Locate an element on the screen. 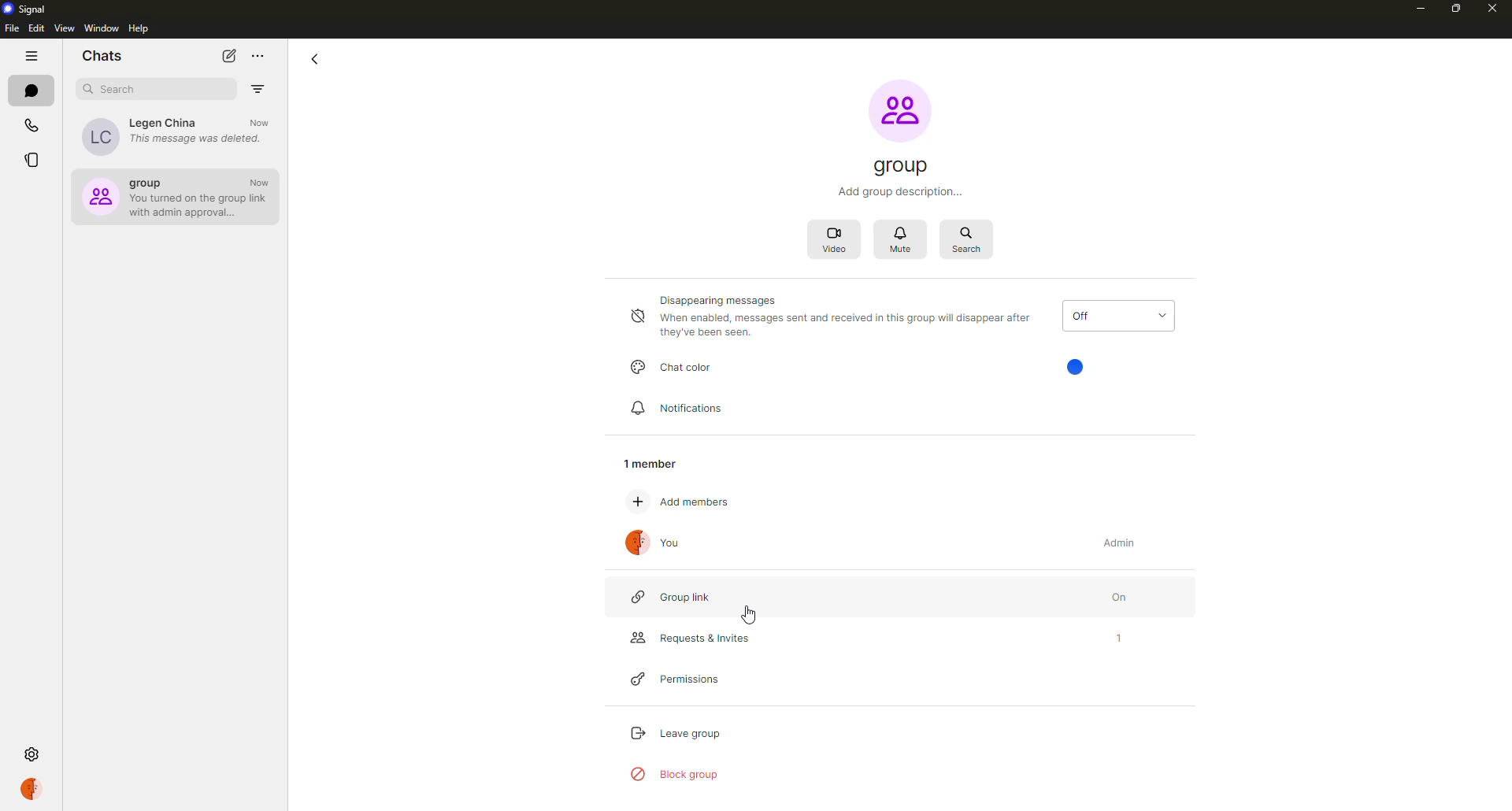  group is located at coordinates (177, 195).